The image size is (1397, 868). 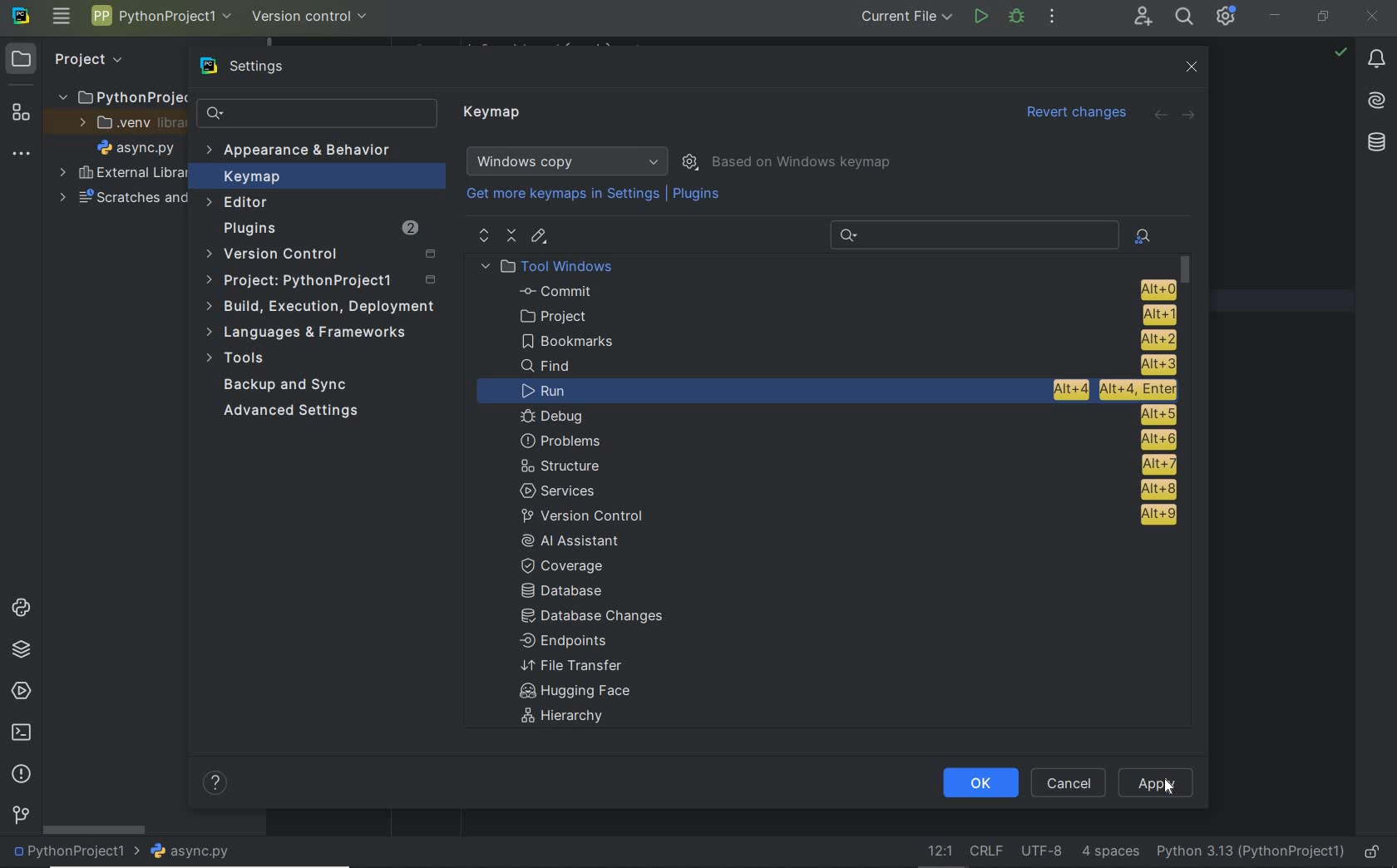 What do you see at coordinates (92, 829) in the screenshot?
I see `scrollbar` at bounding box center [92, 829].